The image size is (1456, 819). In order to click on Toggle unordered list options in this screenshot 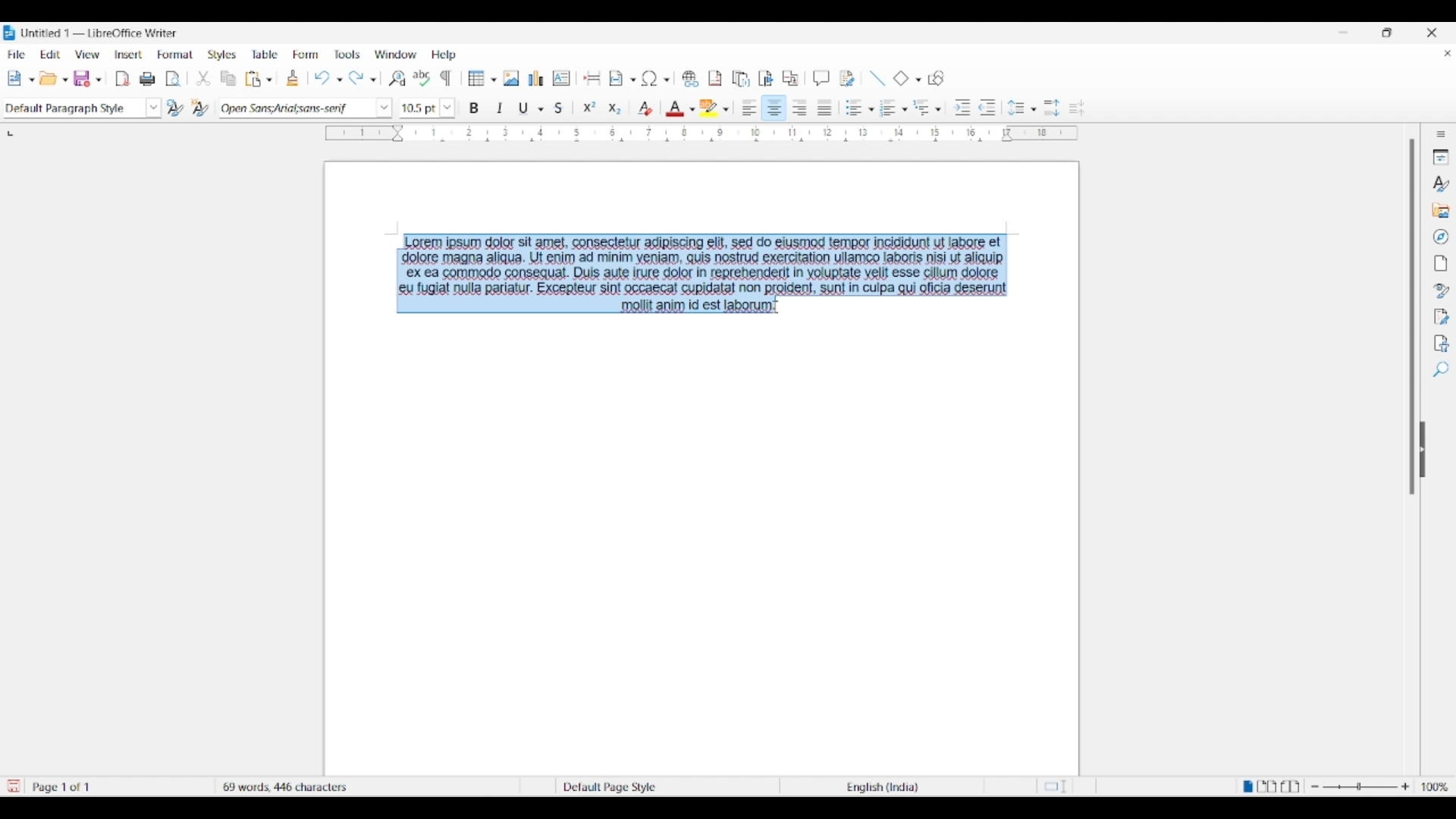, I will do `click(868, 109)`.